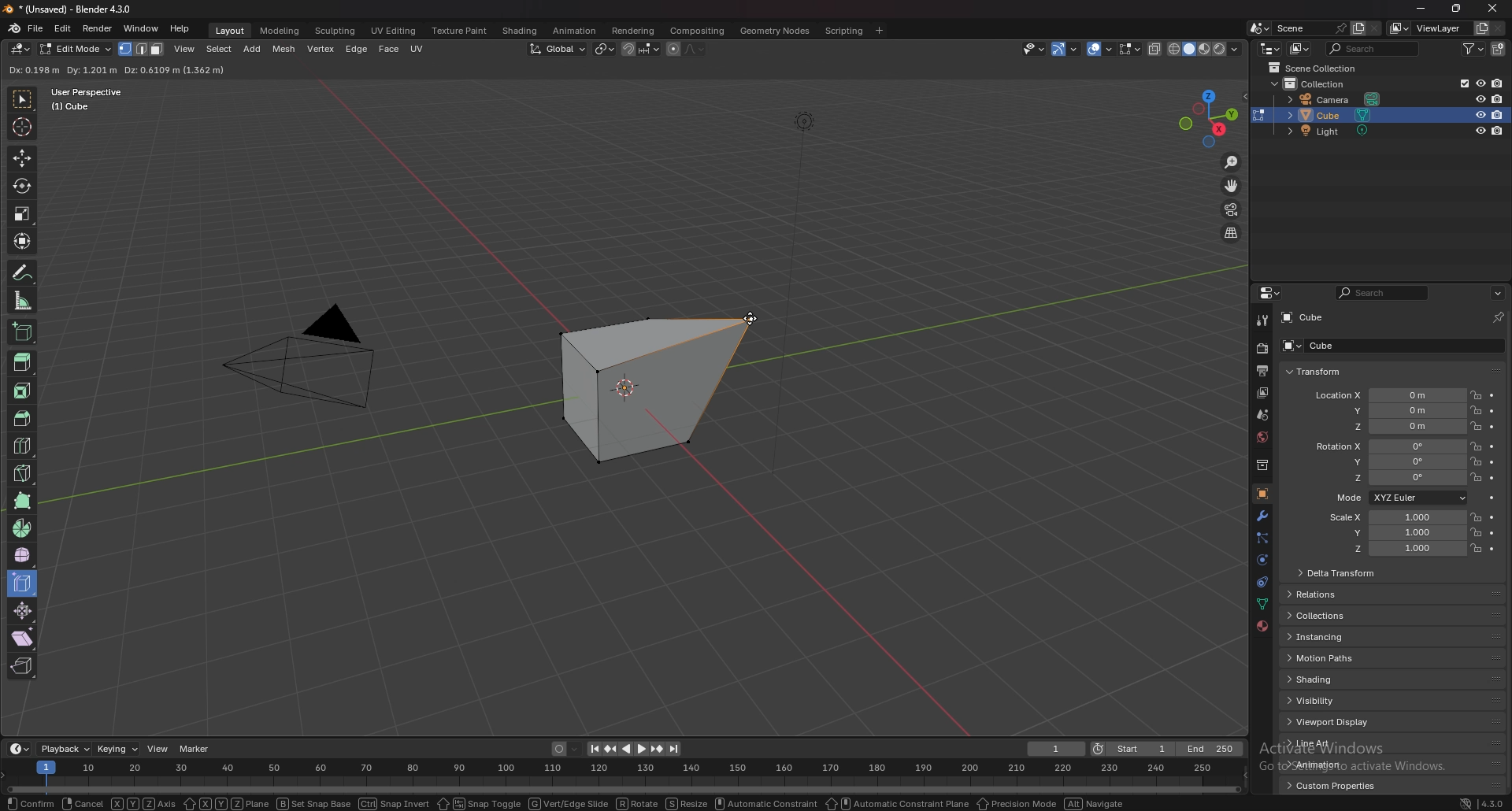 This screenshot has height=811, width=1512. Describe the element at coordinates (1375, 29) in the screenshot. I see `delete scene` at that location.